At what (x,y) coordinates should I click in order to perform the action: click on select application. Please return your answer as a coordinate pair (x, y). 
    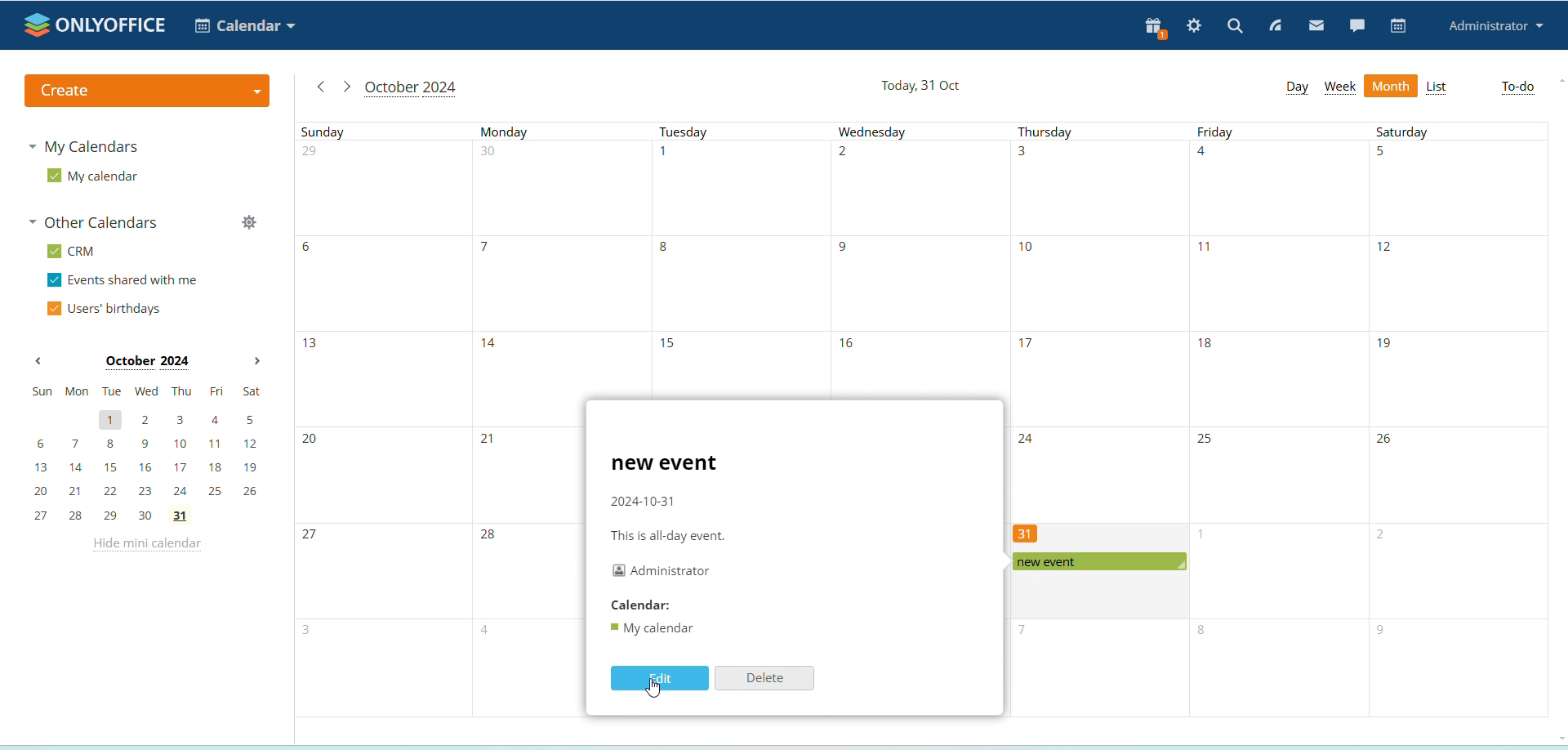
    Looking at the image, I should click on (245, 25).